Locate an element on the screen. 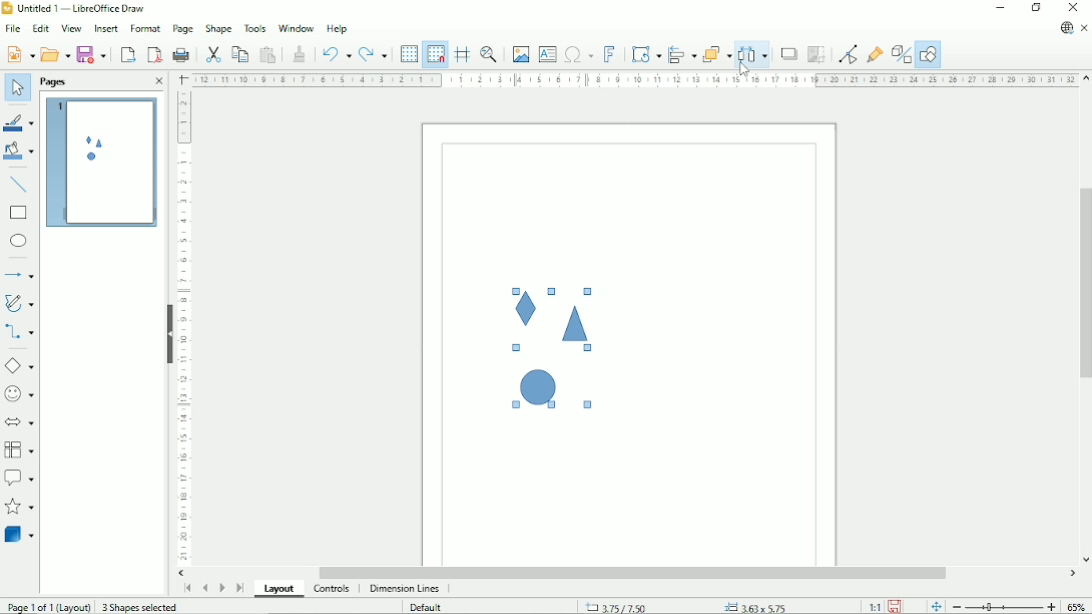  Fill color is located at coordinates (19, 152).